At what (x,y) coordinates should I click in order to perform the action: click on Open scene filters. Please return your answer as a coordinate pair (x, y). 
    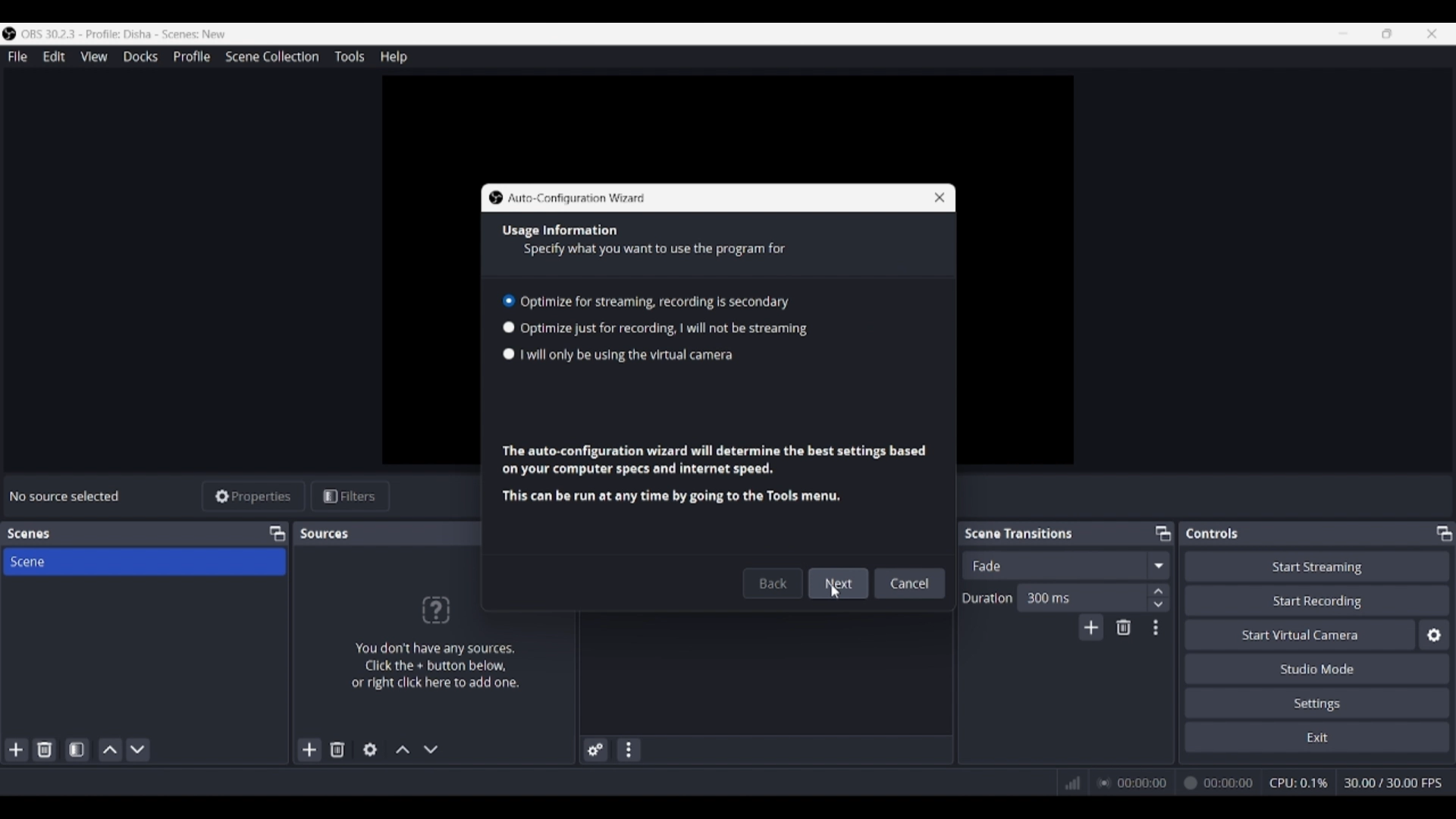
    Looking at the image, I should click on (77, 749).